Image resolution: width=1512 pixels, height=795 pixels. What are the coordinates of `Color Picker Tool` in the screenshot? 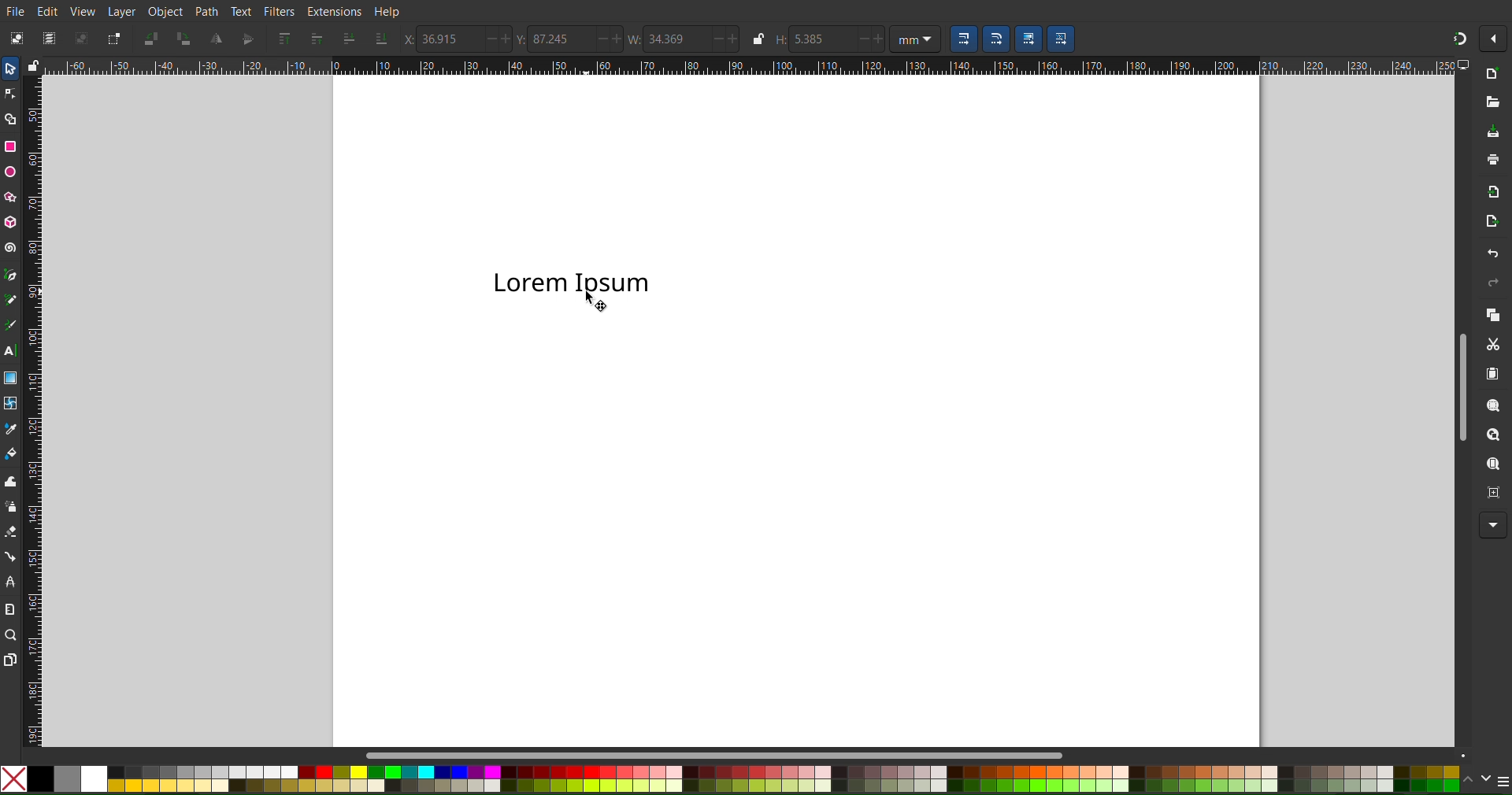 It's located at (9, 429).